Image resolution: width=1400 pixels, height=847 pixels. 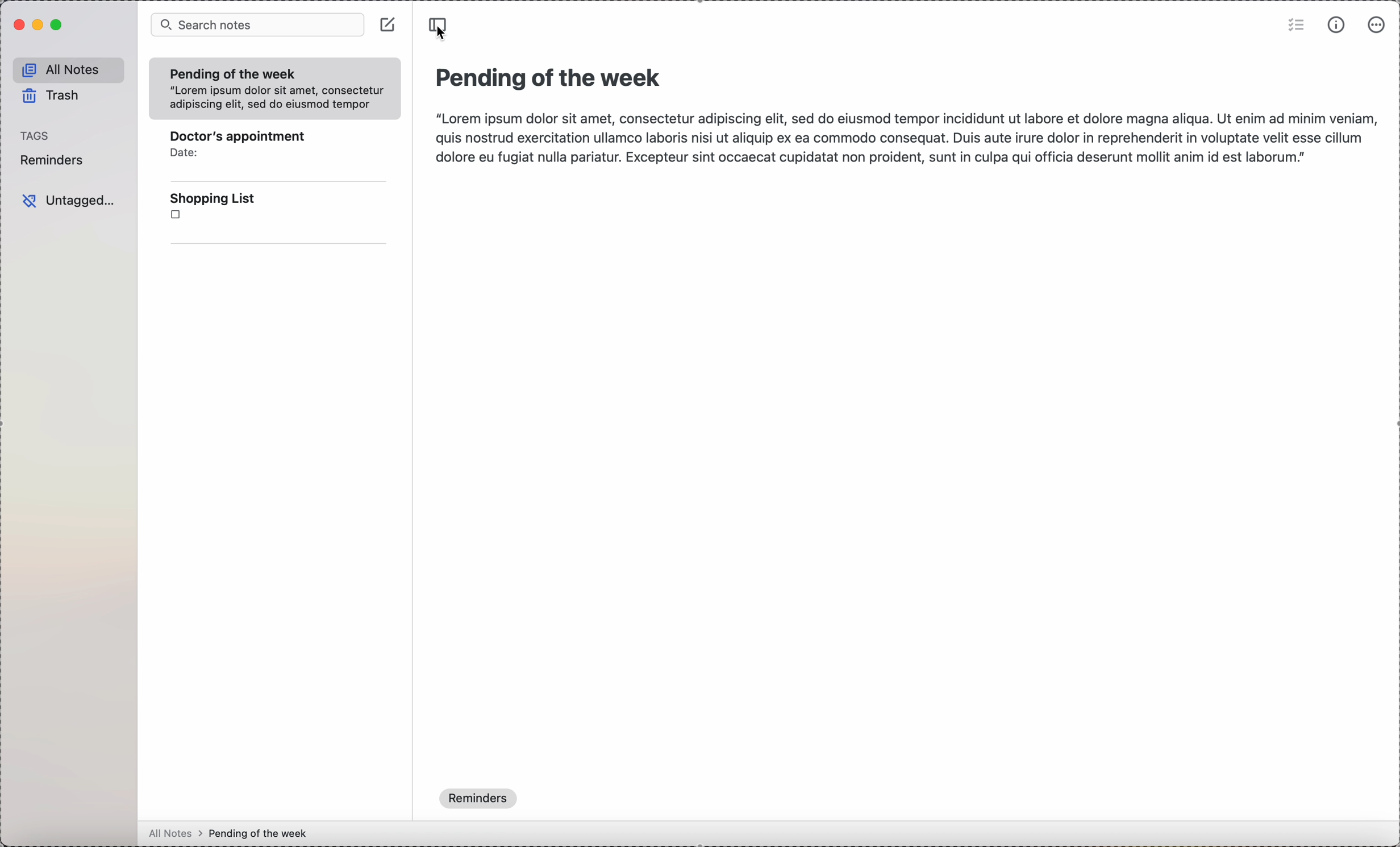 What do you see at coordinates (67, 71) in the screenshot?
I see `all notes` at bounding box center [67, 71].